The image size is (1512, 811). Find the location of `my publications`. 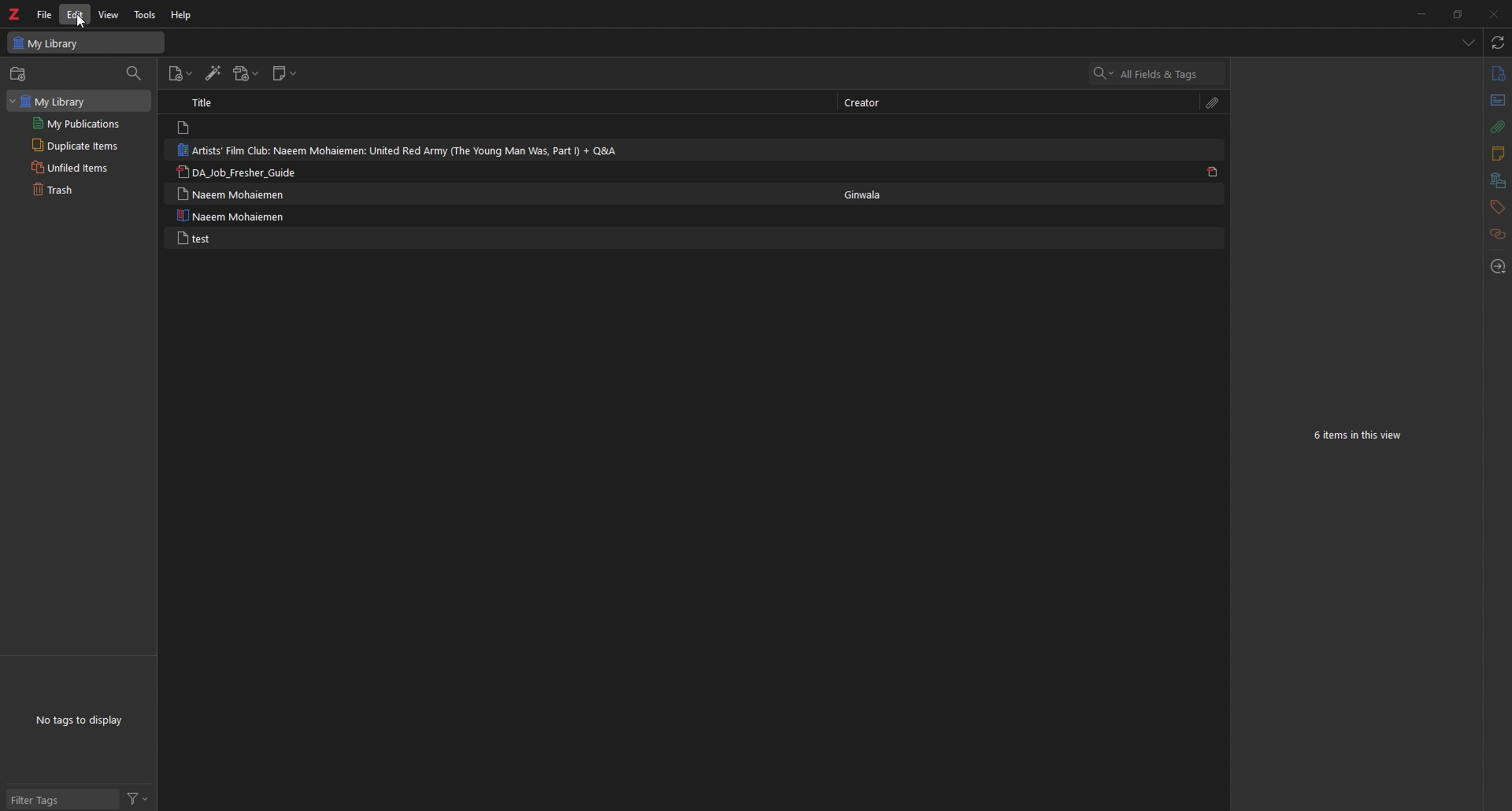

my publications is located at coordinates (80, 123).